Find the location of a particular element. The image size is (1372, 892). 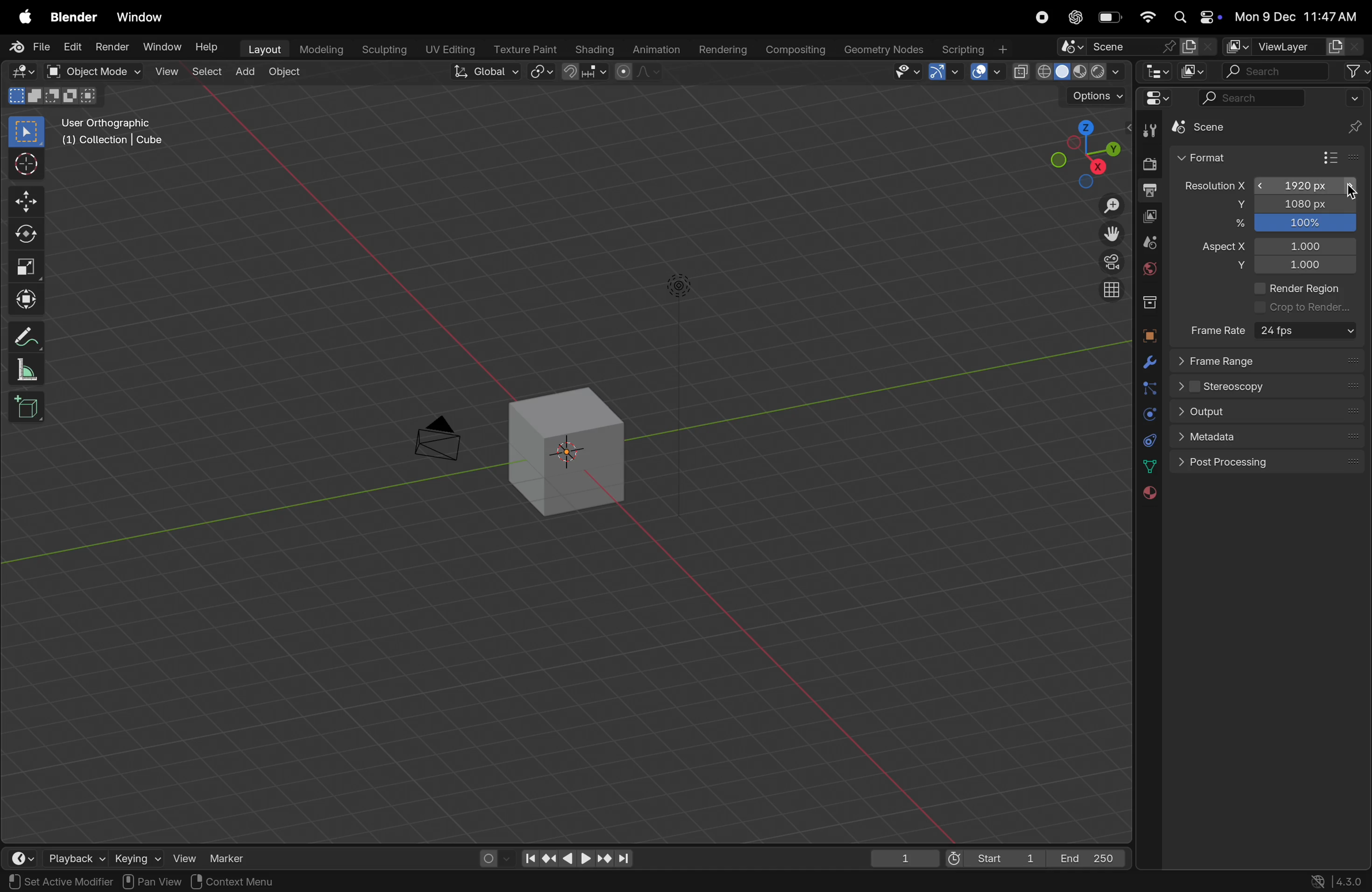

metadata is located at coordinates (1211, 439).